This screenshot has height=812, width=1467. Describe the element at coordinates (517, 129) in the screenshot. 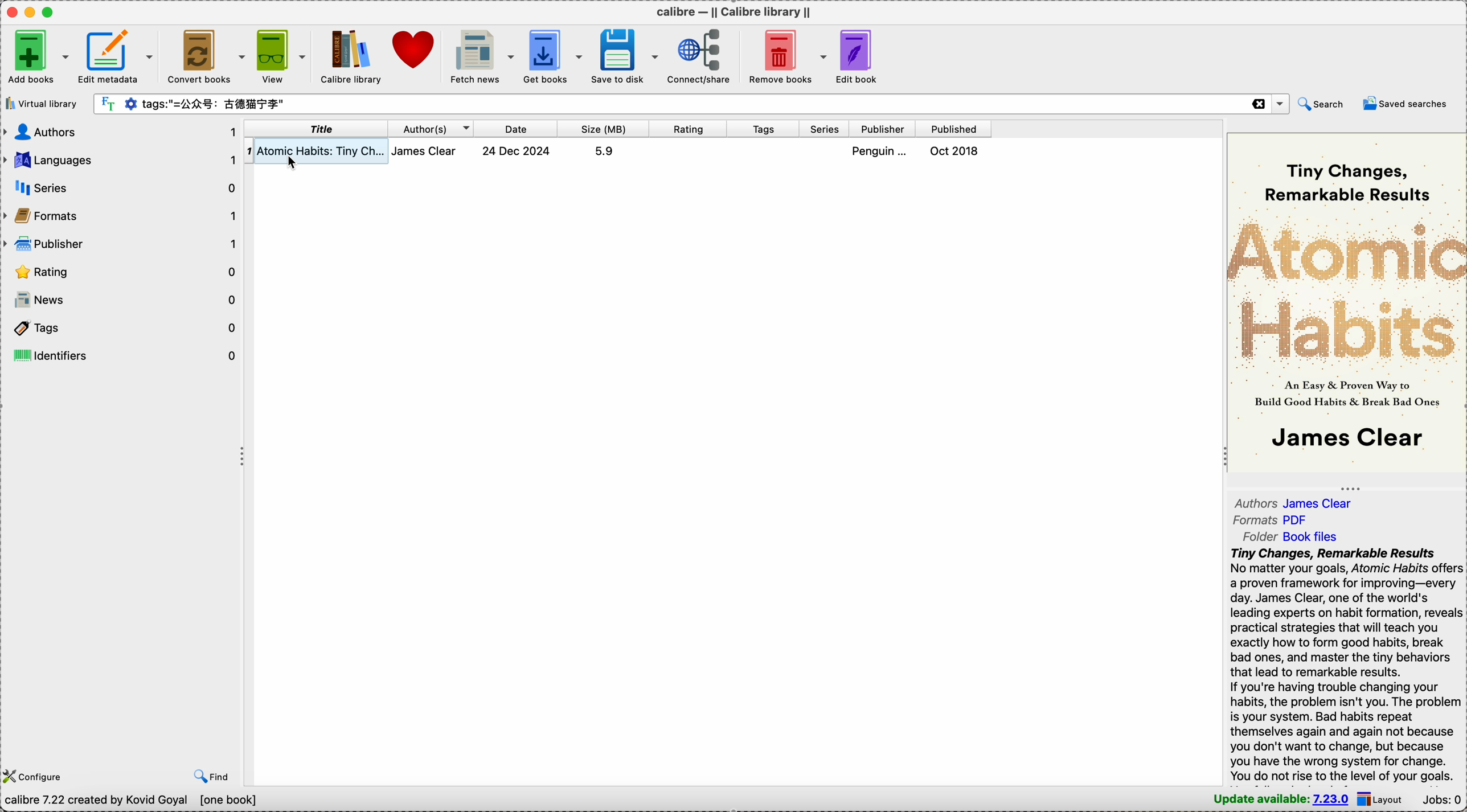

I see `date` at that location.